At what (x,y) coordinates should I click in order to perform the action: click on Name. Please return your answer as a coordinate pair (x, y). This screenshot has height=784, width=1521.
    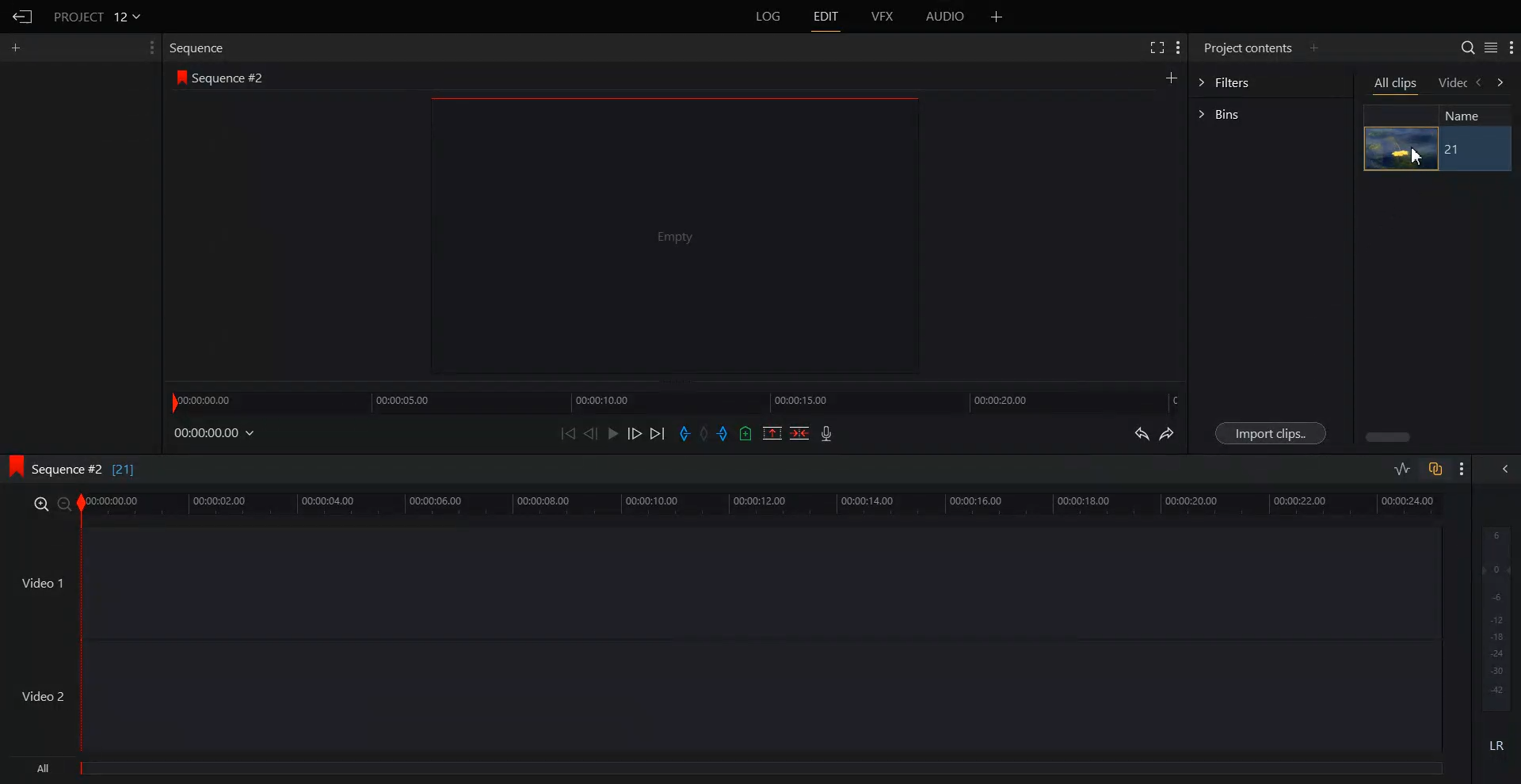
    Looking at the image, I should click on (1470, 115).